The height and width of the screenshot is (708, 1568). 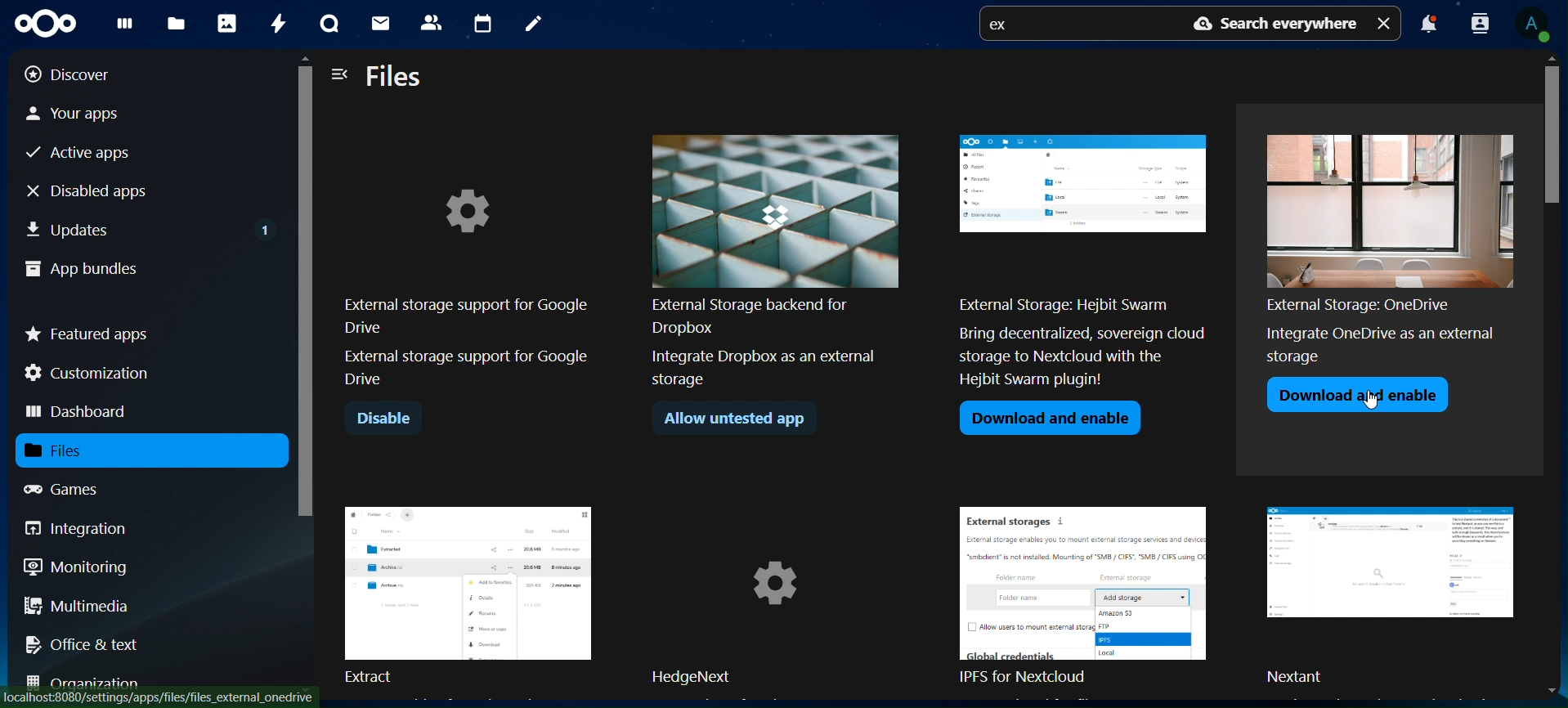 What do you see at coordinates (88, 528) in the screenshot?
I see `integration` at bounding box center [88, 528].